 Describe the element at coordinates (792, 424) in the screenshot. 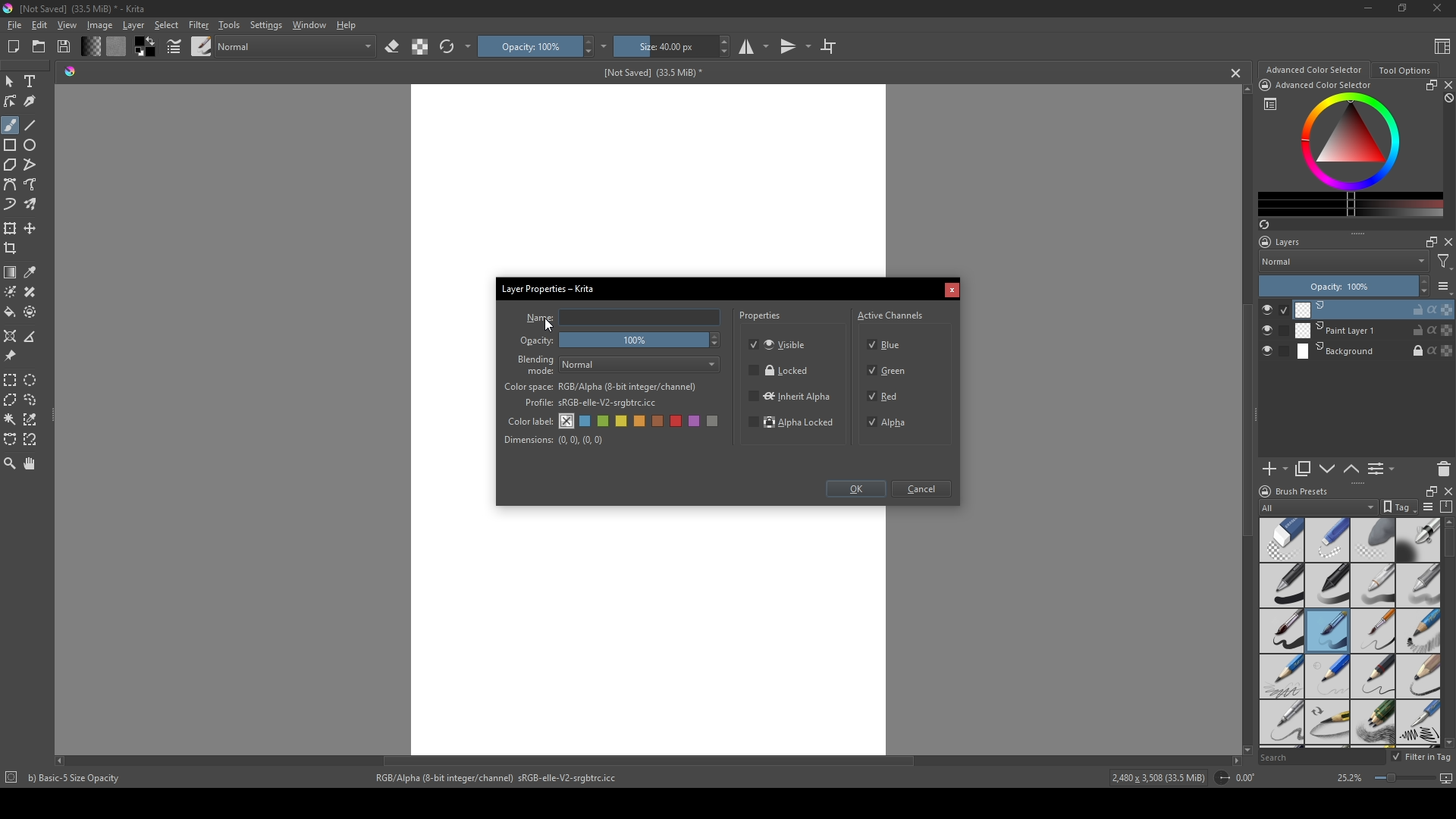

I see `Alpha Locked` at that location.